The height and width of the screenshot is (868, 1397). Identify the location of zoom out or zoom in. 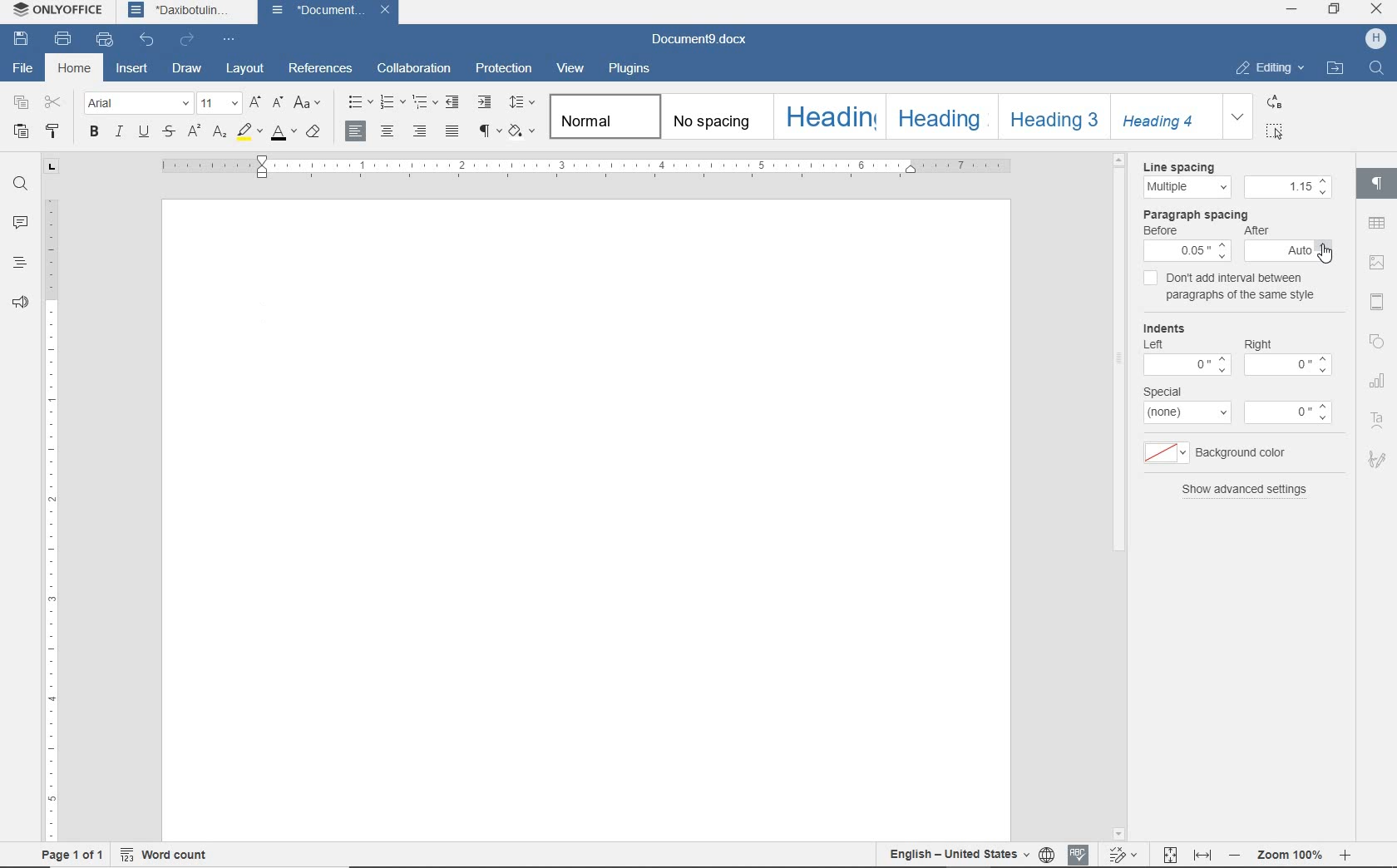
(1234, 855).